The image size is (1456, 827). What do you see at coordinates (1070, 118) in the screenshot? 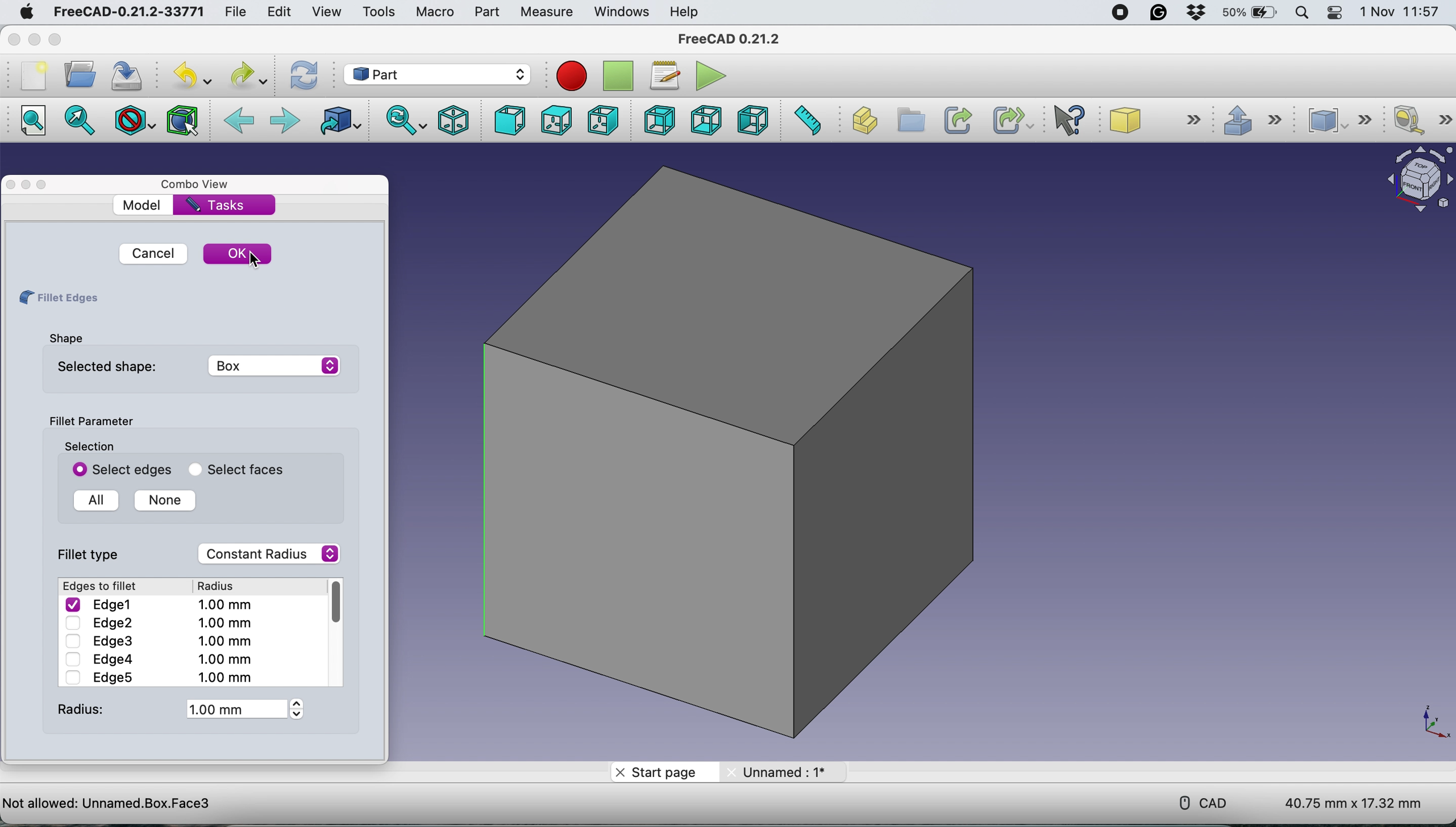
I see `what's this` at bounding box center [1070, 118].